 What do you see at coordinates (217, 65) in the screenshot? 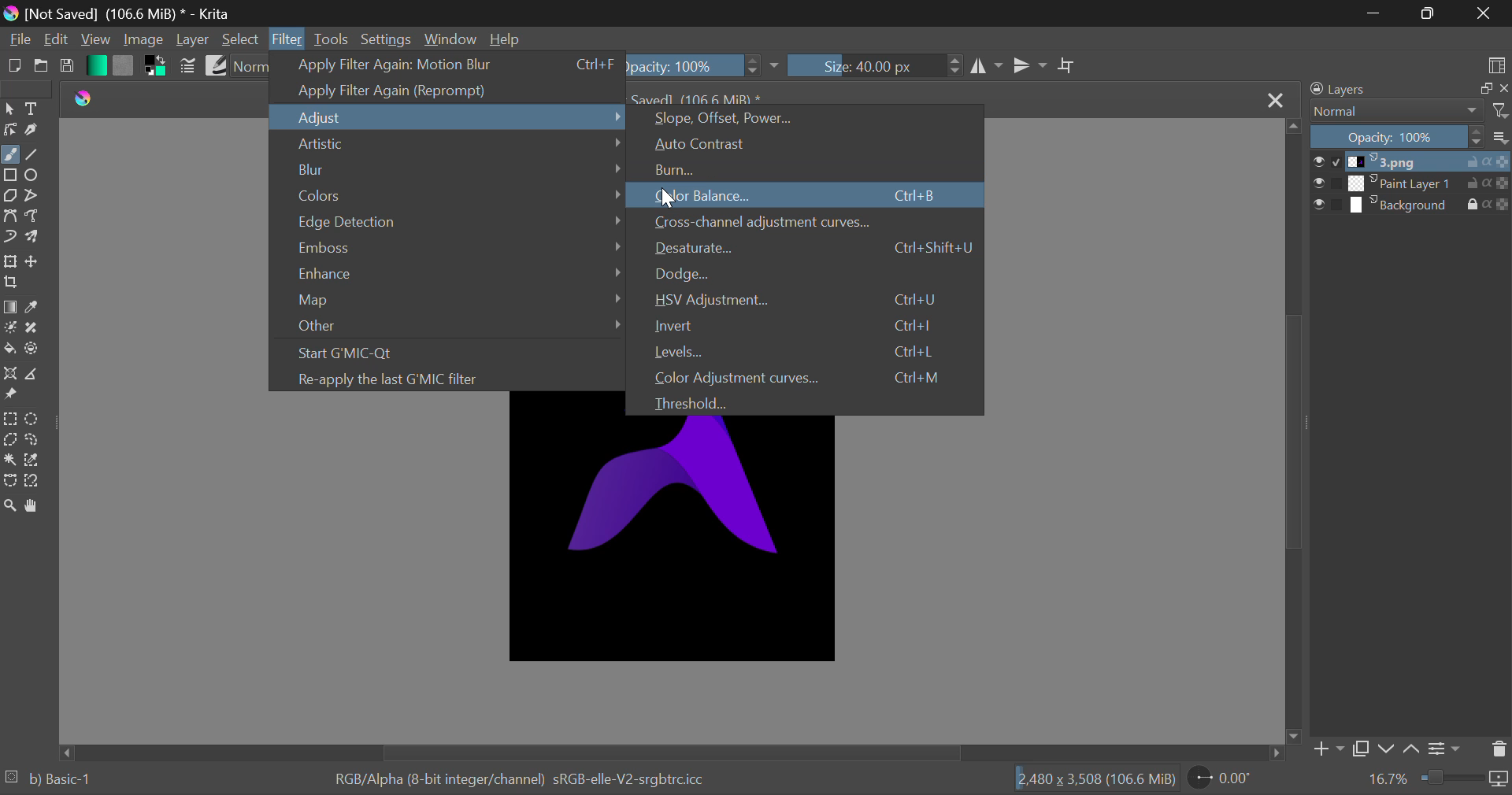
I see `Brush Presets` at bounding box center [217, 65].